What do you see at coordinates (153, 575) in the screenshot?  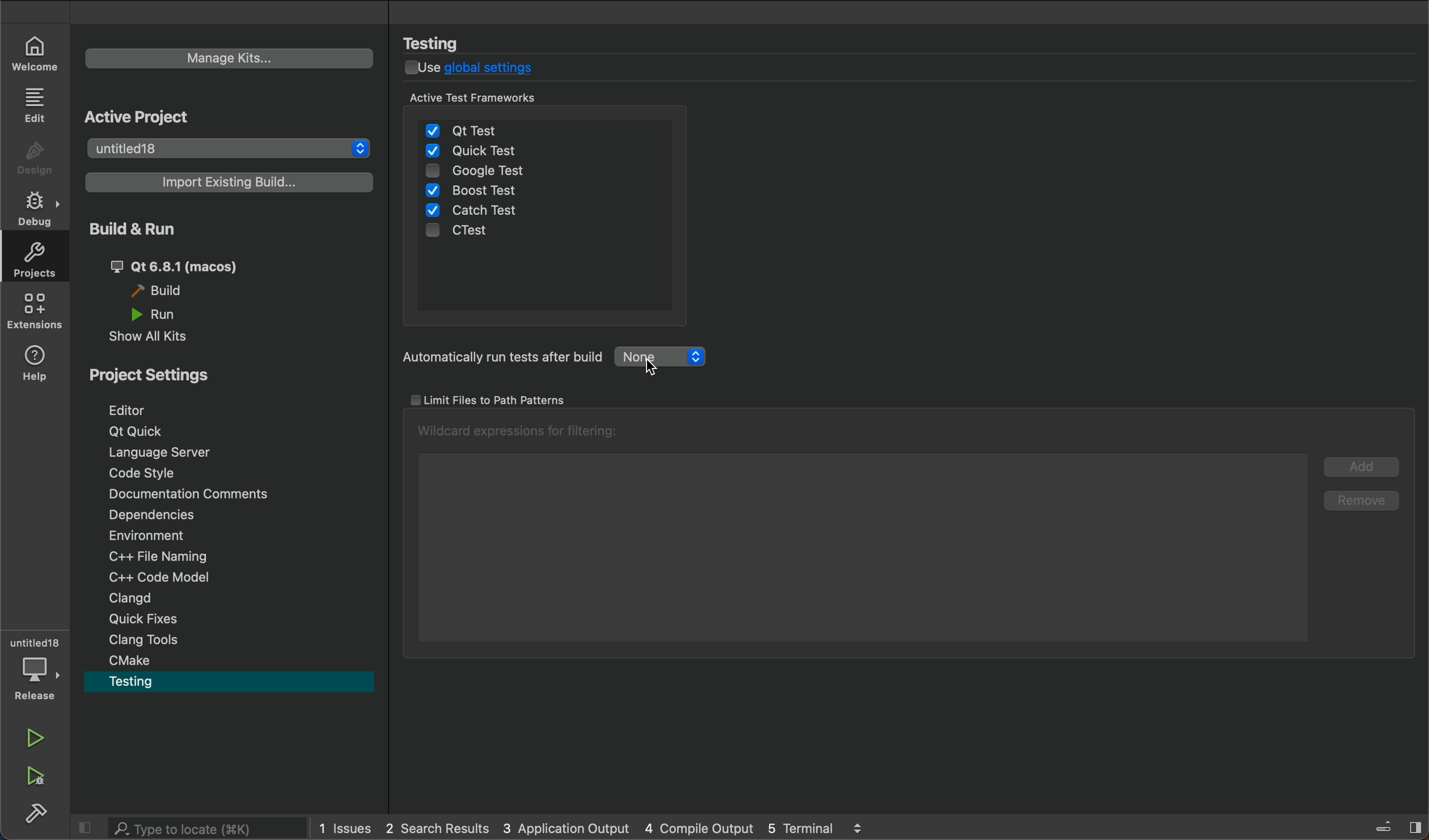 I see `c++ code model` at bounding box center [153, 575].